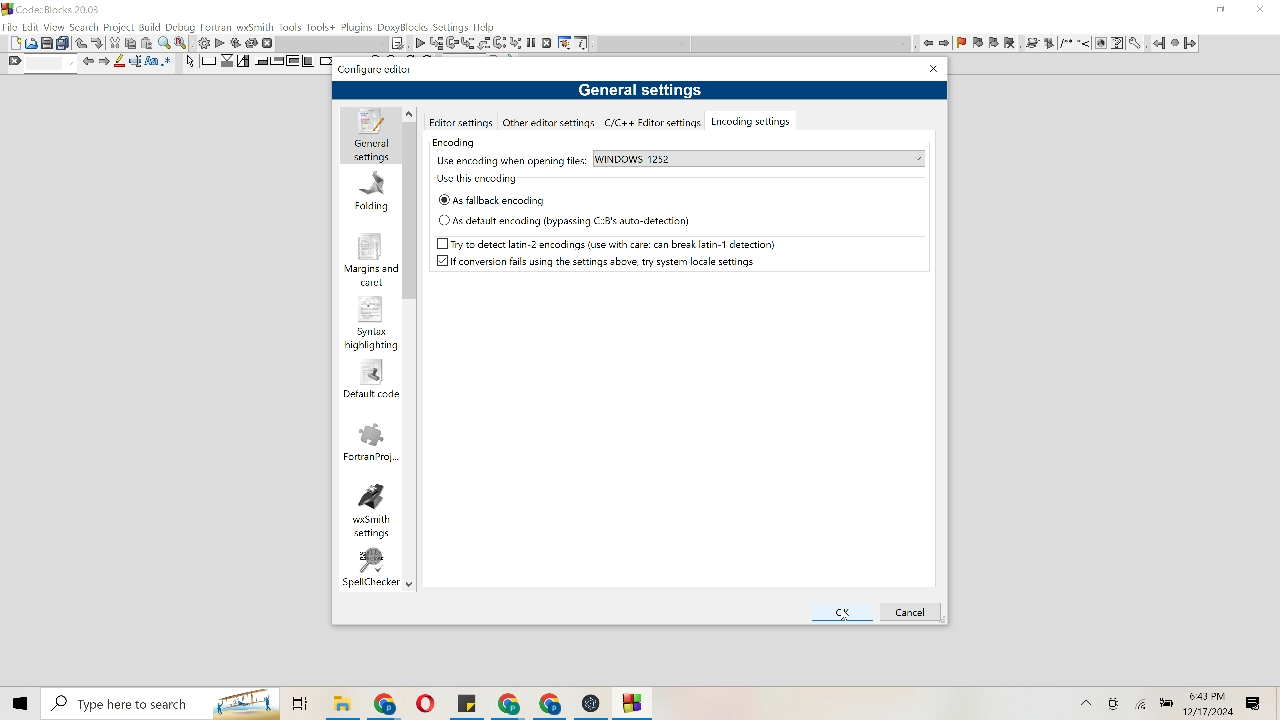  Describe the element at coordinates (634, 704) in the screenshot. I see `File` at that location.